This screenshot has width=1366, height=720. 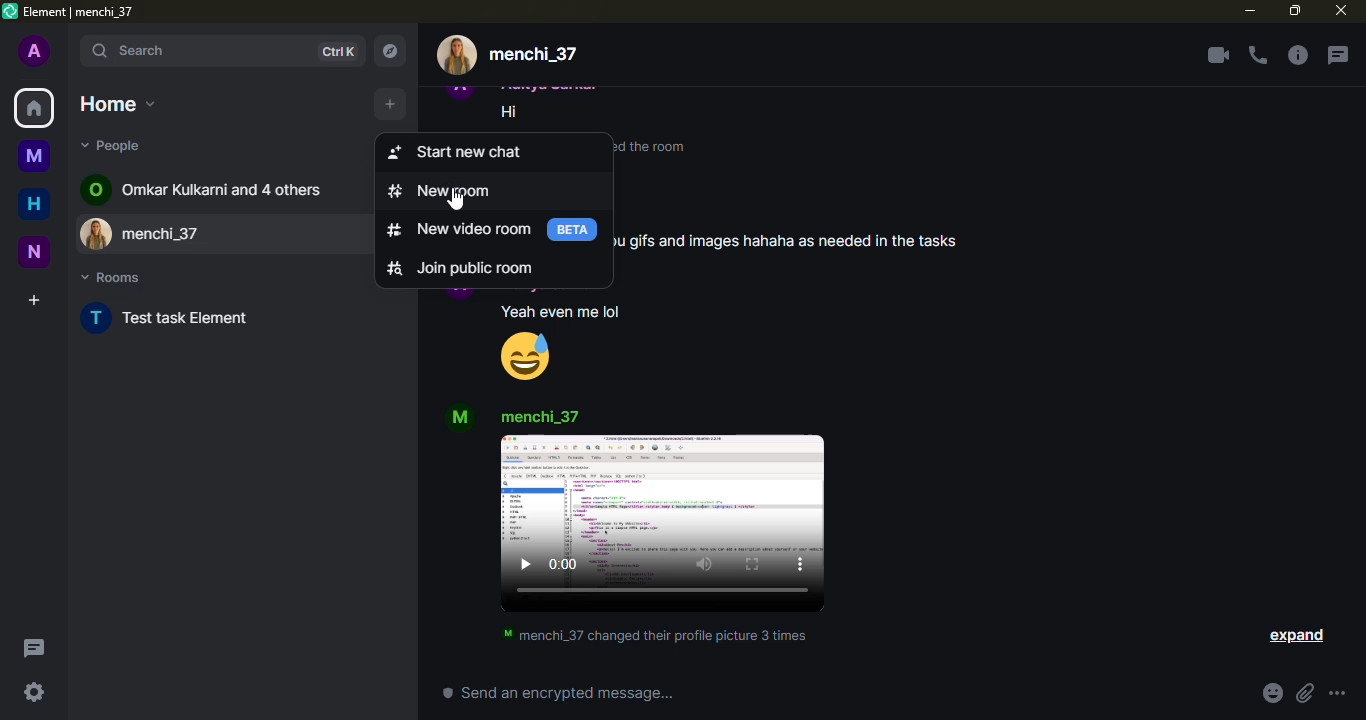 I want to click on join public room, so click(x=494, y=267).